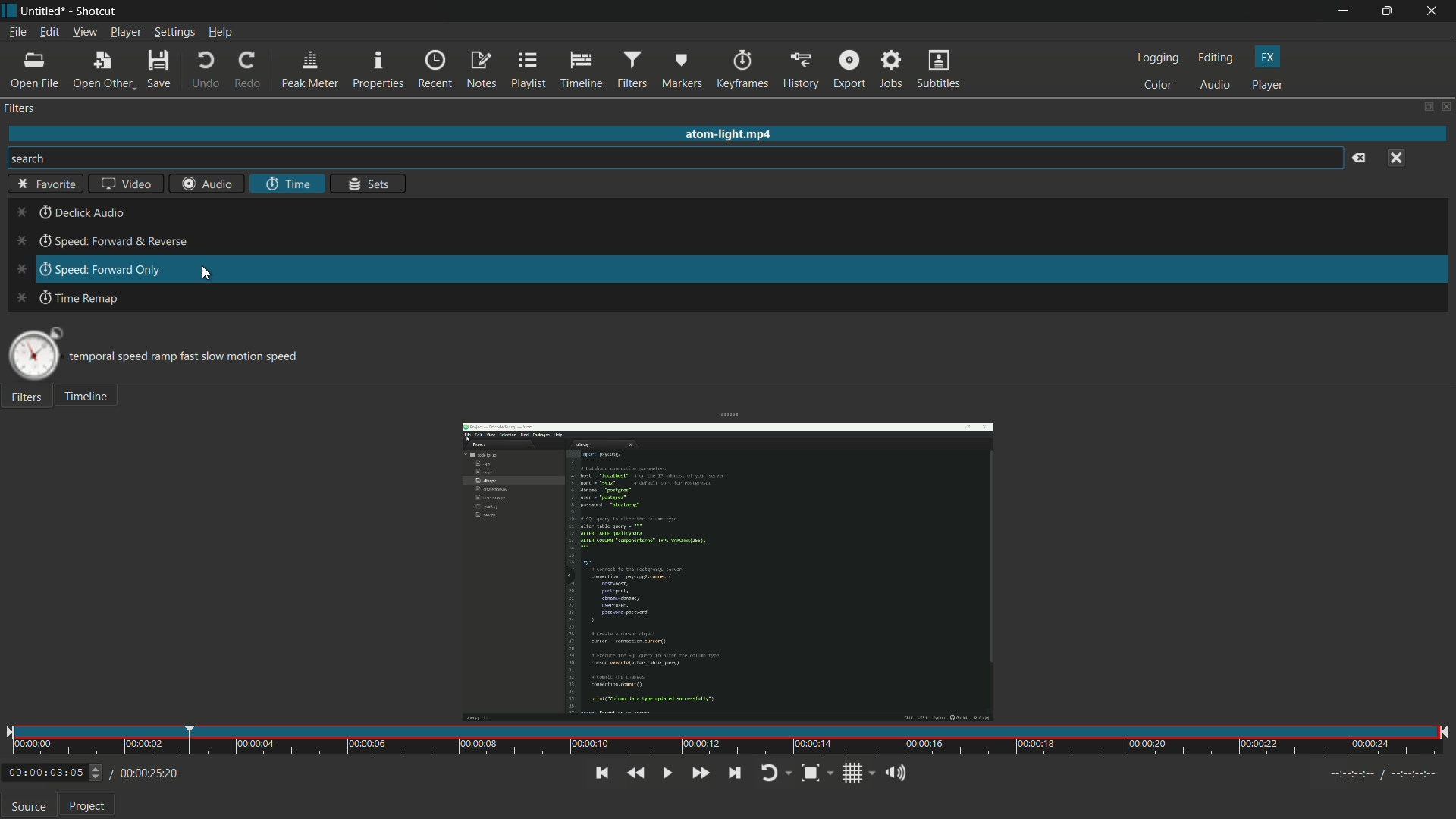 The height and width of the screenshot is (819, 1456). What do you see at coordinates (54, 771) in the screenshot?
I see `00:00:03:05` at bounding box center [54, 771].